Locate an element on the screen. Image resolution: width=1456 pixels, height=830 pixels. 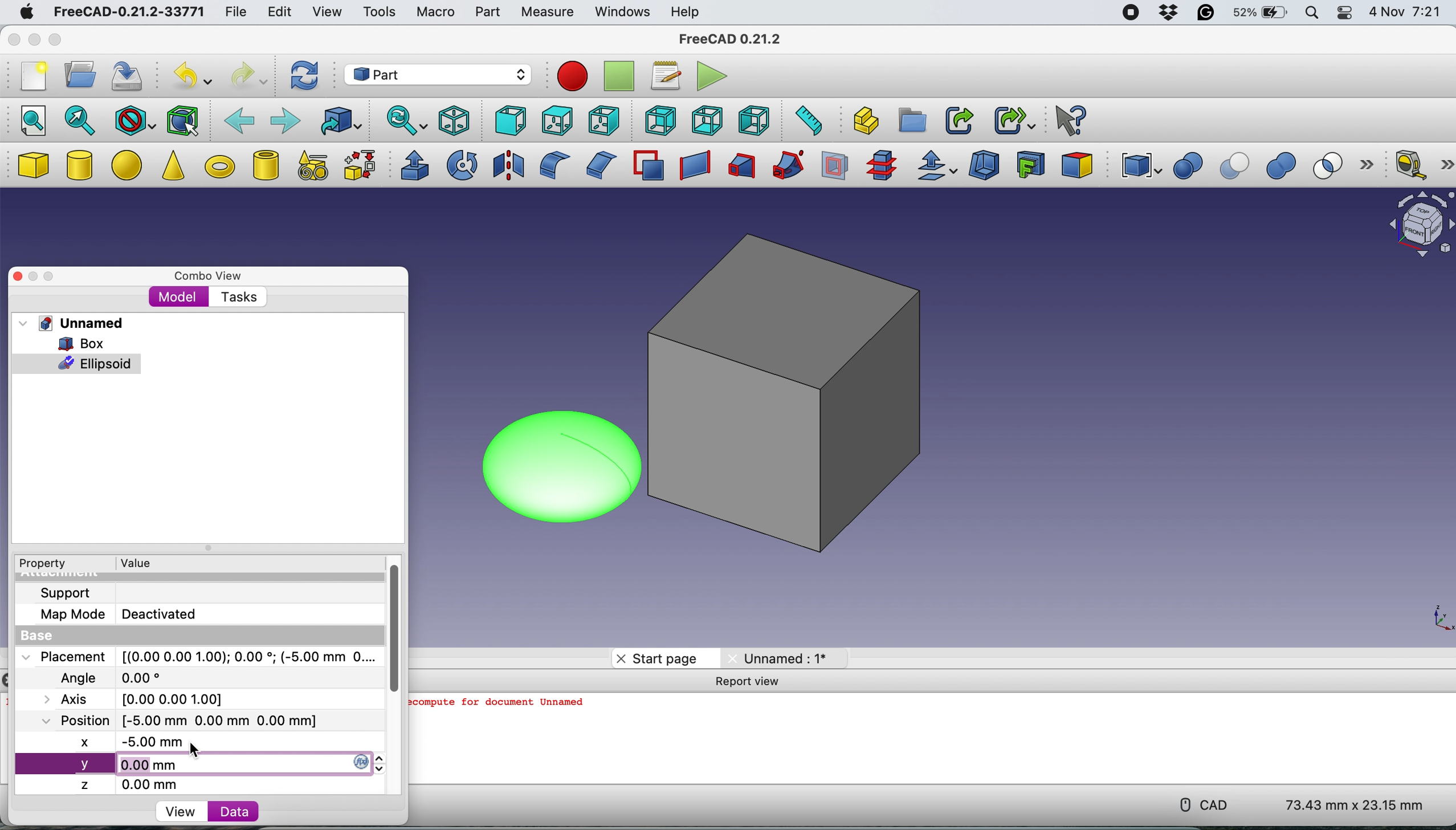
cone is located at coordinates (173, 168).